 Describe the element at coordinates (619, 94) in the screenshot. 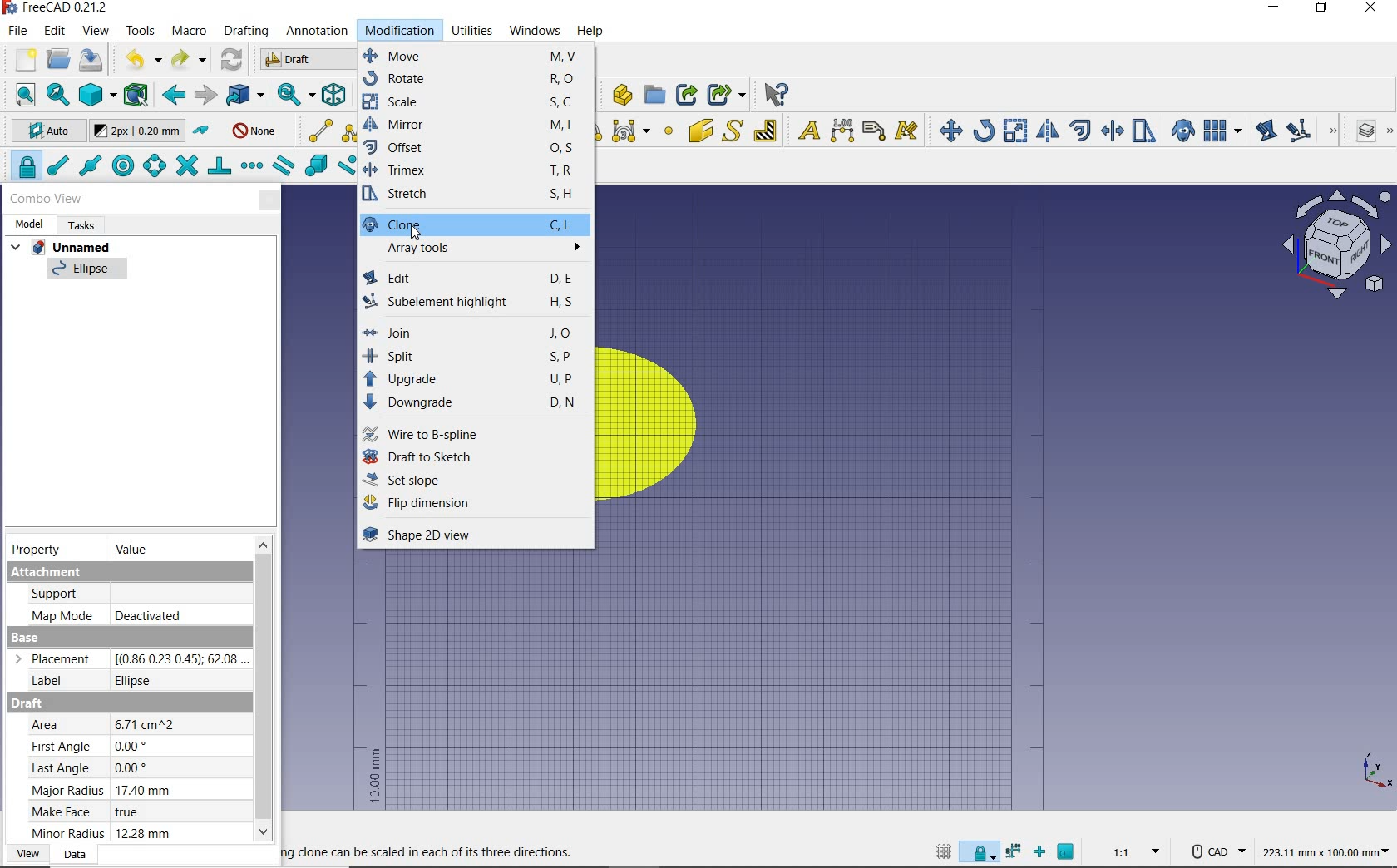

I see `create part` at that location.